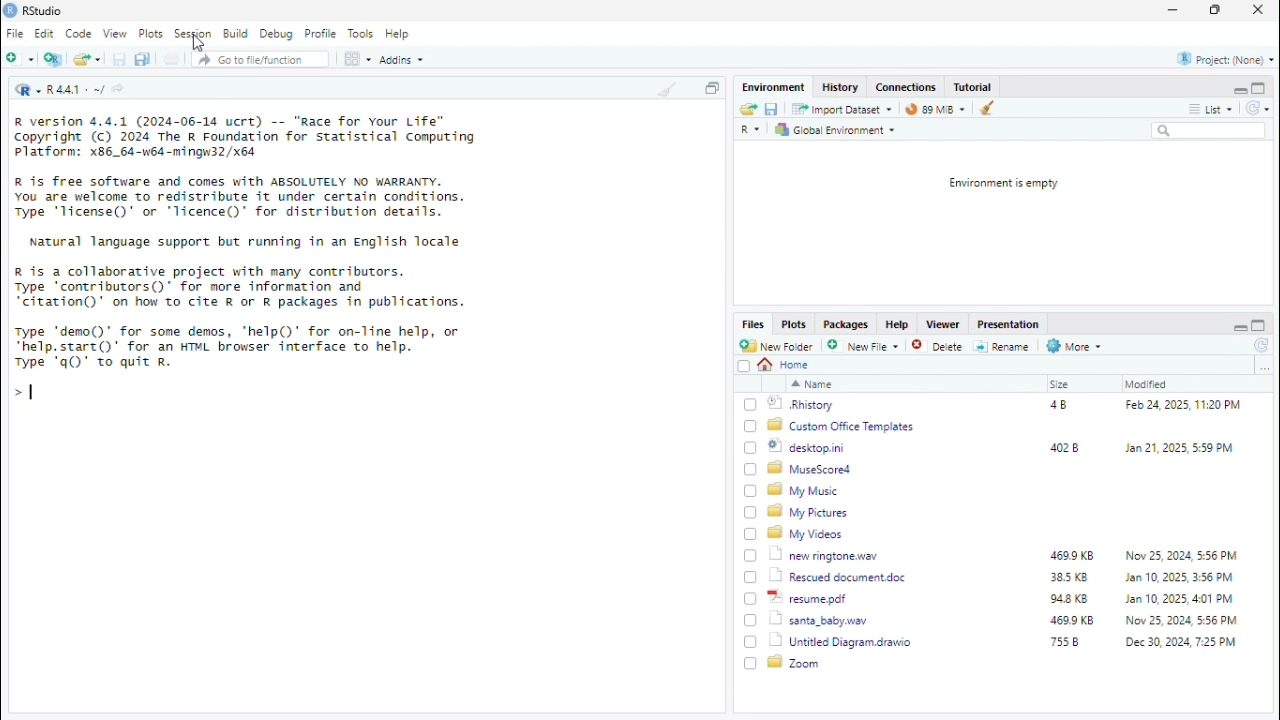 Image resolution: width=1280 pixels, height=720 pixels. I want to click on Zoom, so click(795, 662).